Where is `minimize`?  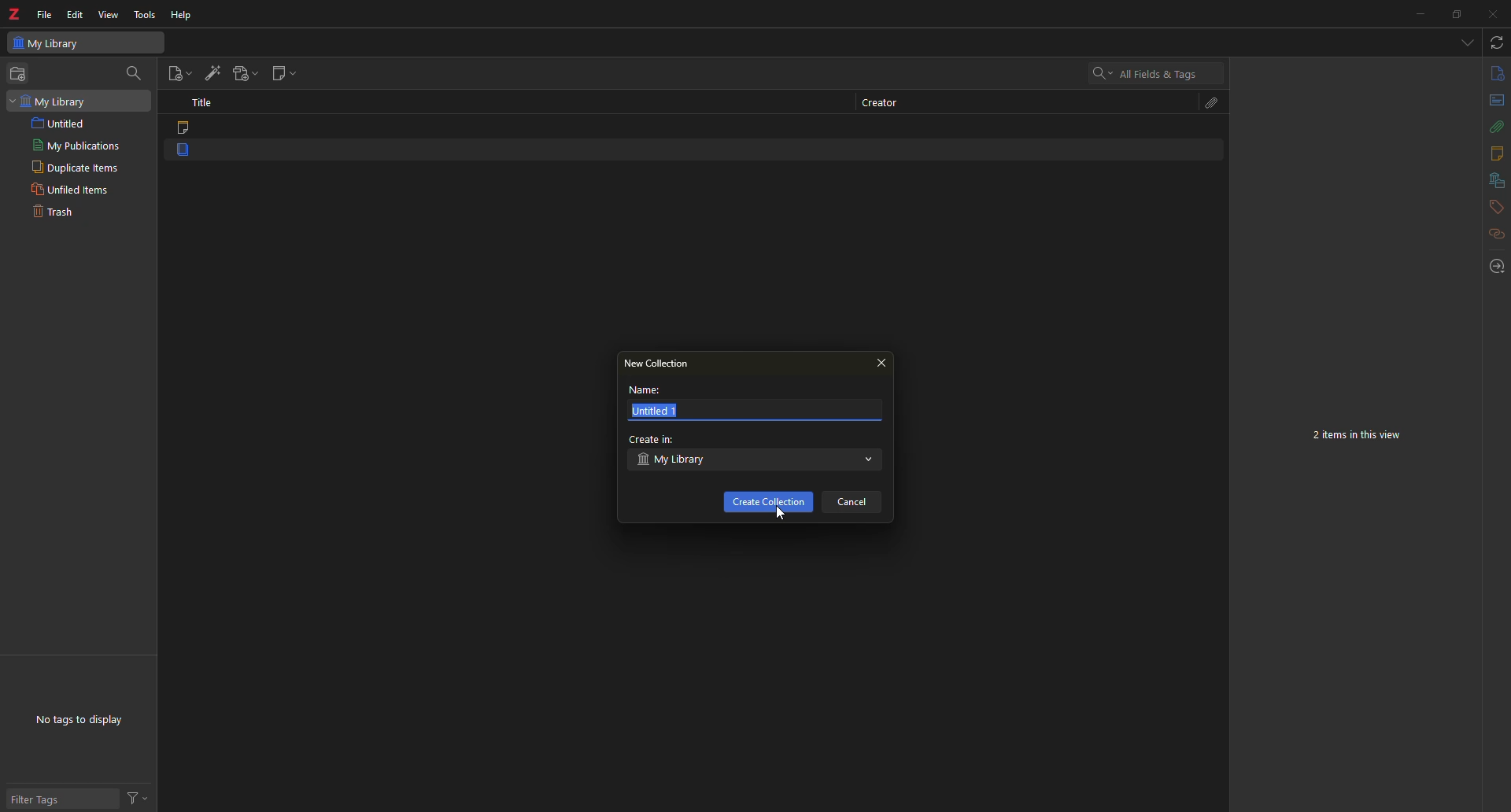
minimize is located at coordinates (1417, 14).